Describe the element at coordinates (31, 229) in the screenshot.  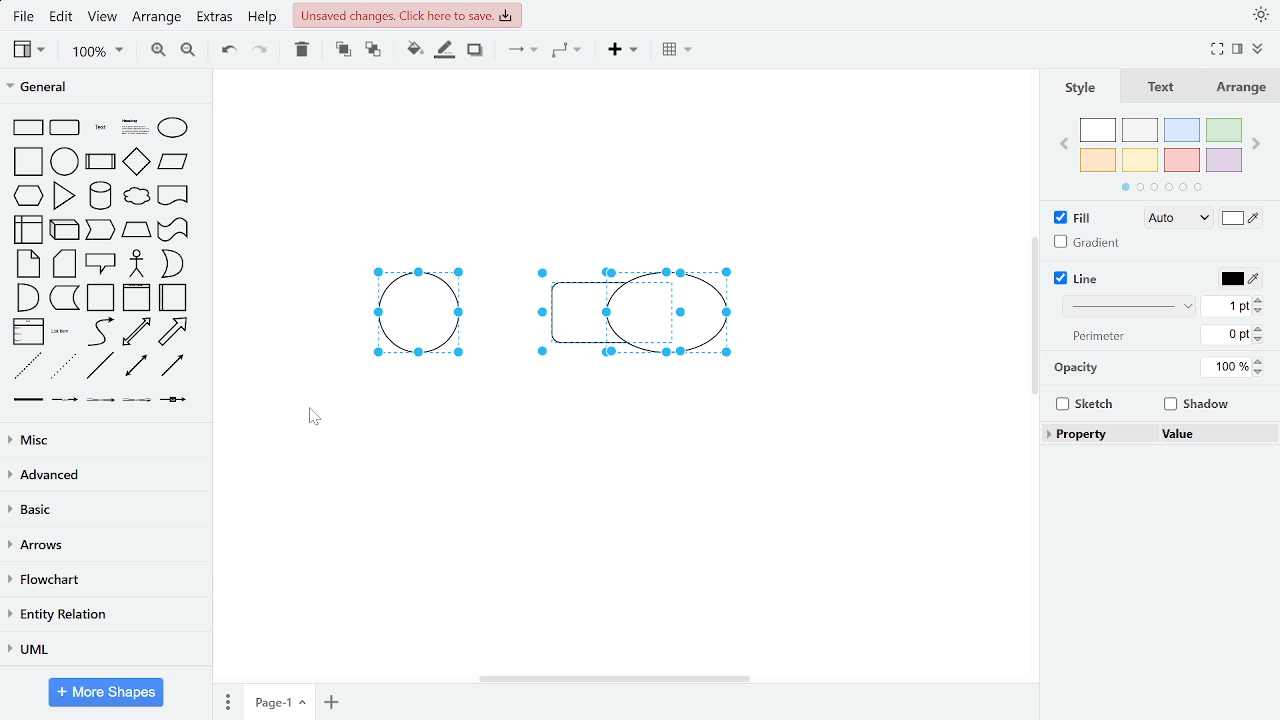
I see `internal storage` at that location.